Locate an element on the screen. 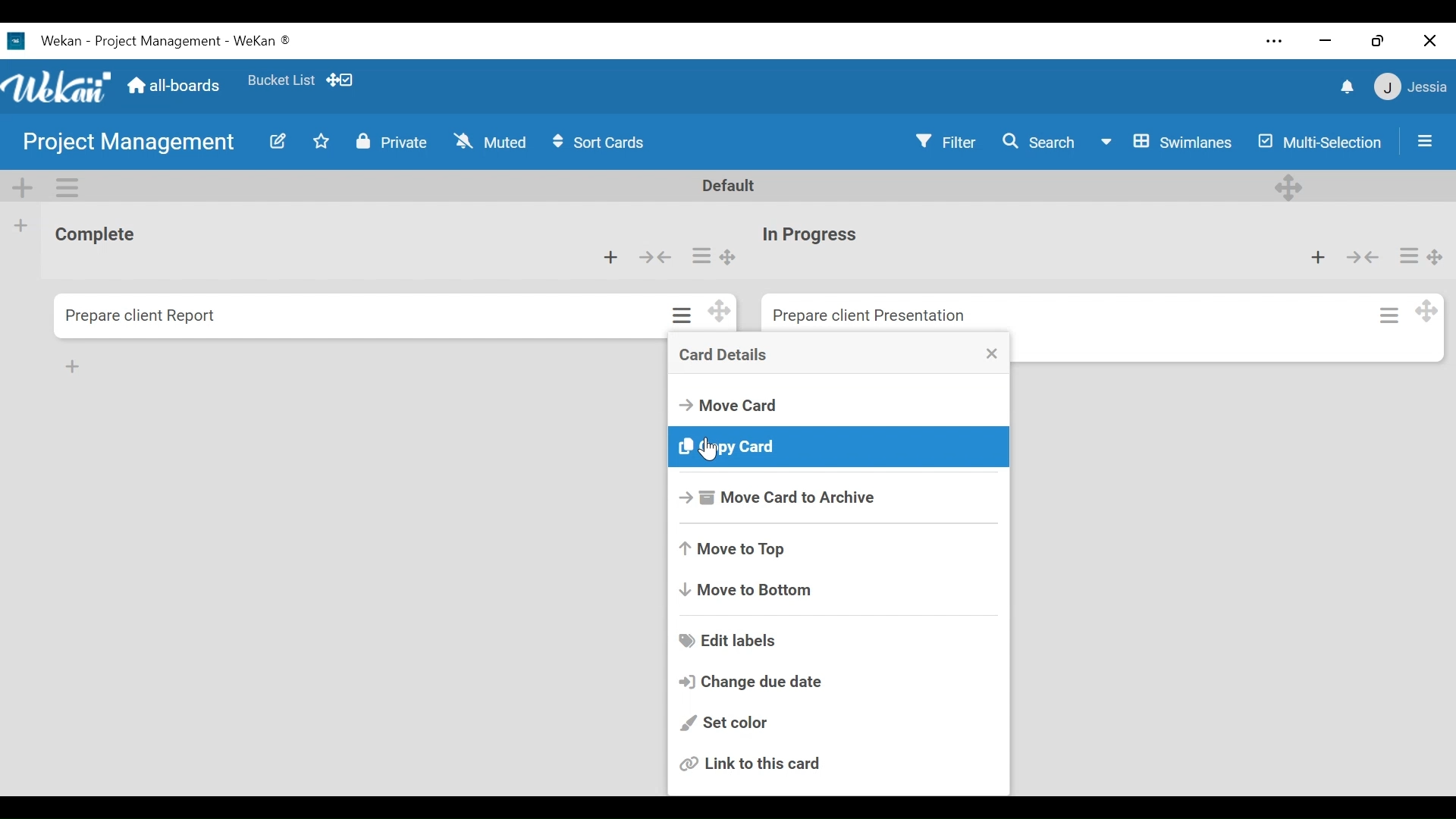  List Title is located at coordinates (102, 236).